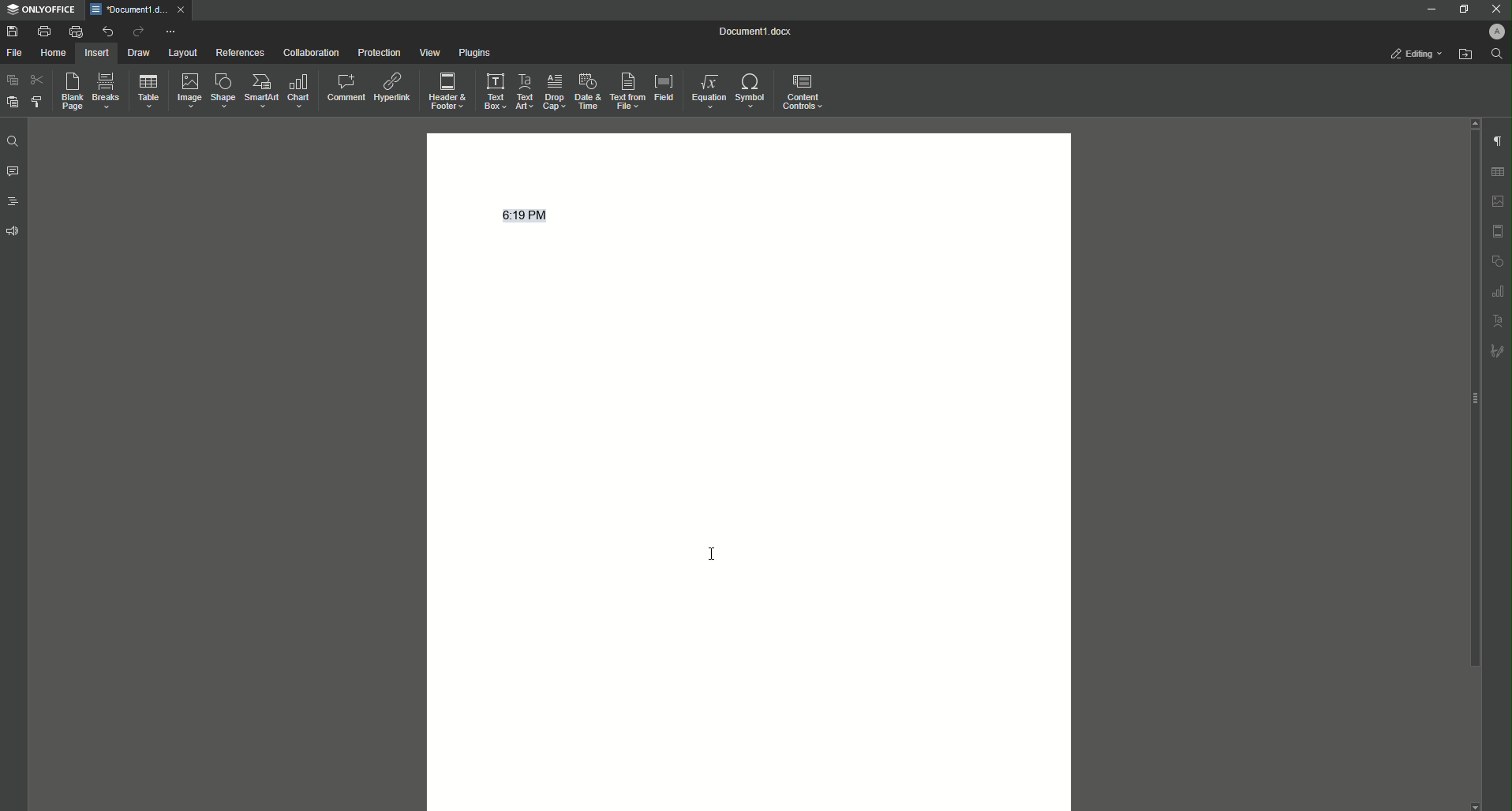  I want to click on graph settings, so click(1498, 290).